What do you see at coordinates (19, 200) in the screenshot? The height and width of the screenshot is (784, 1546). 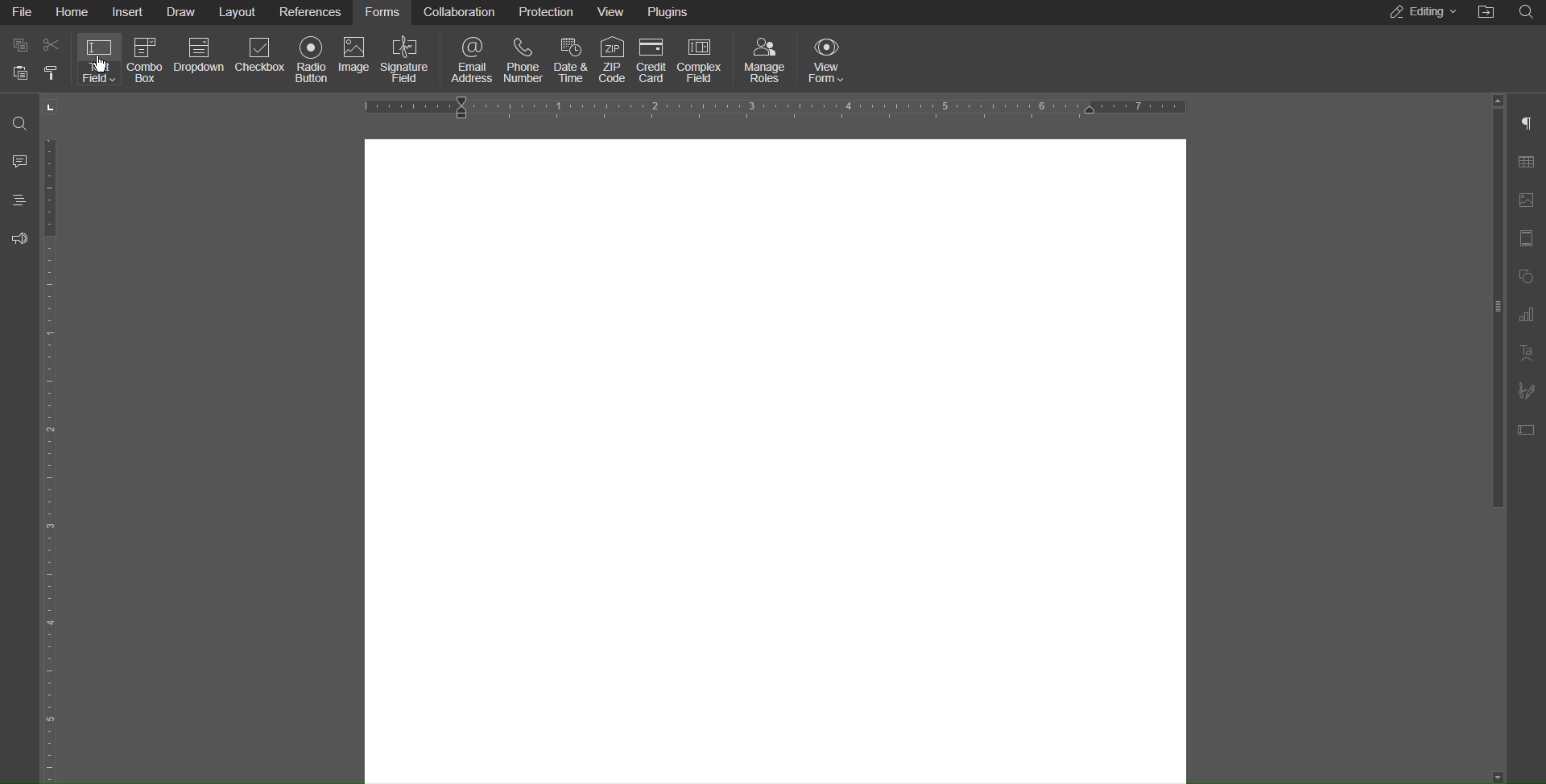 I see `Headings` at bounding box center [19, 200].